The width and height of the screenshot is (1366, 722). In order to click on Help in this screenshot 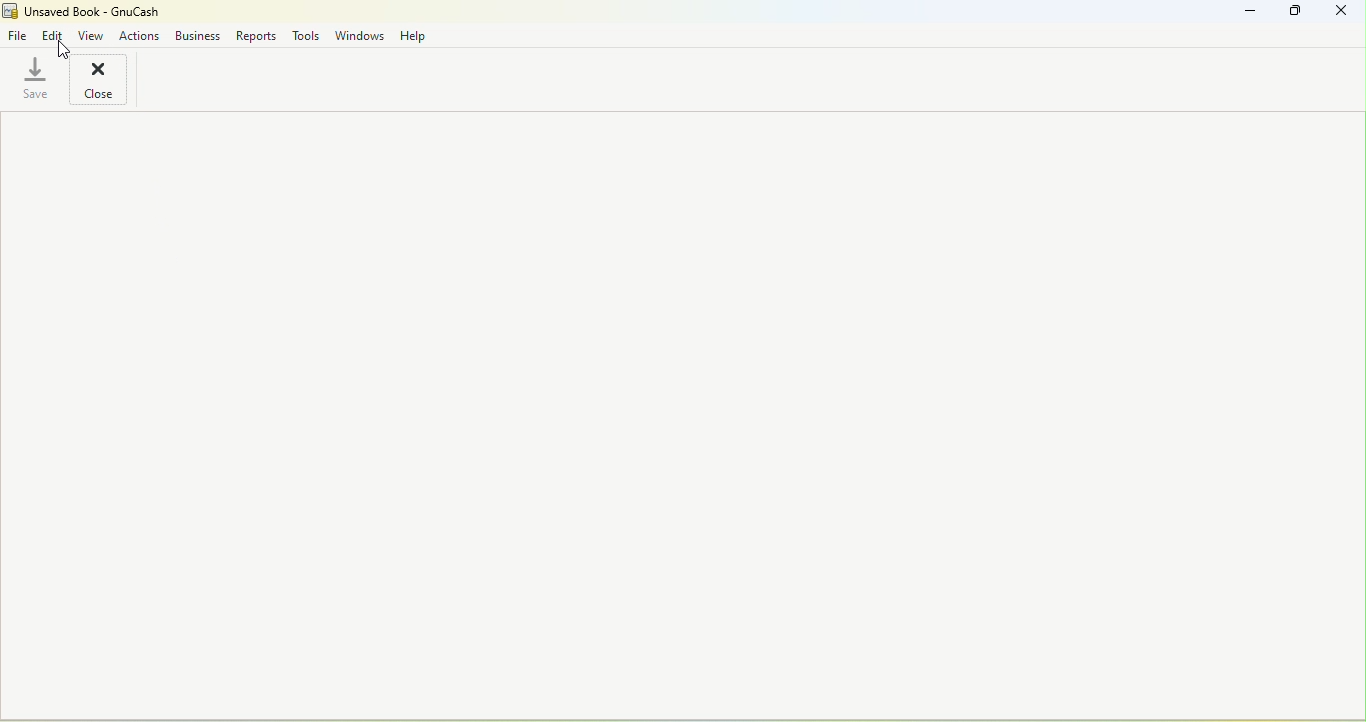, I will do `click(411, 34)`.